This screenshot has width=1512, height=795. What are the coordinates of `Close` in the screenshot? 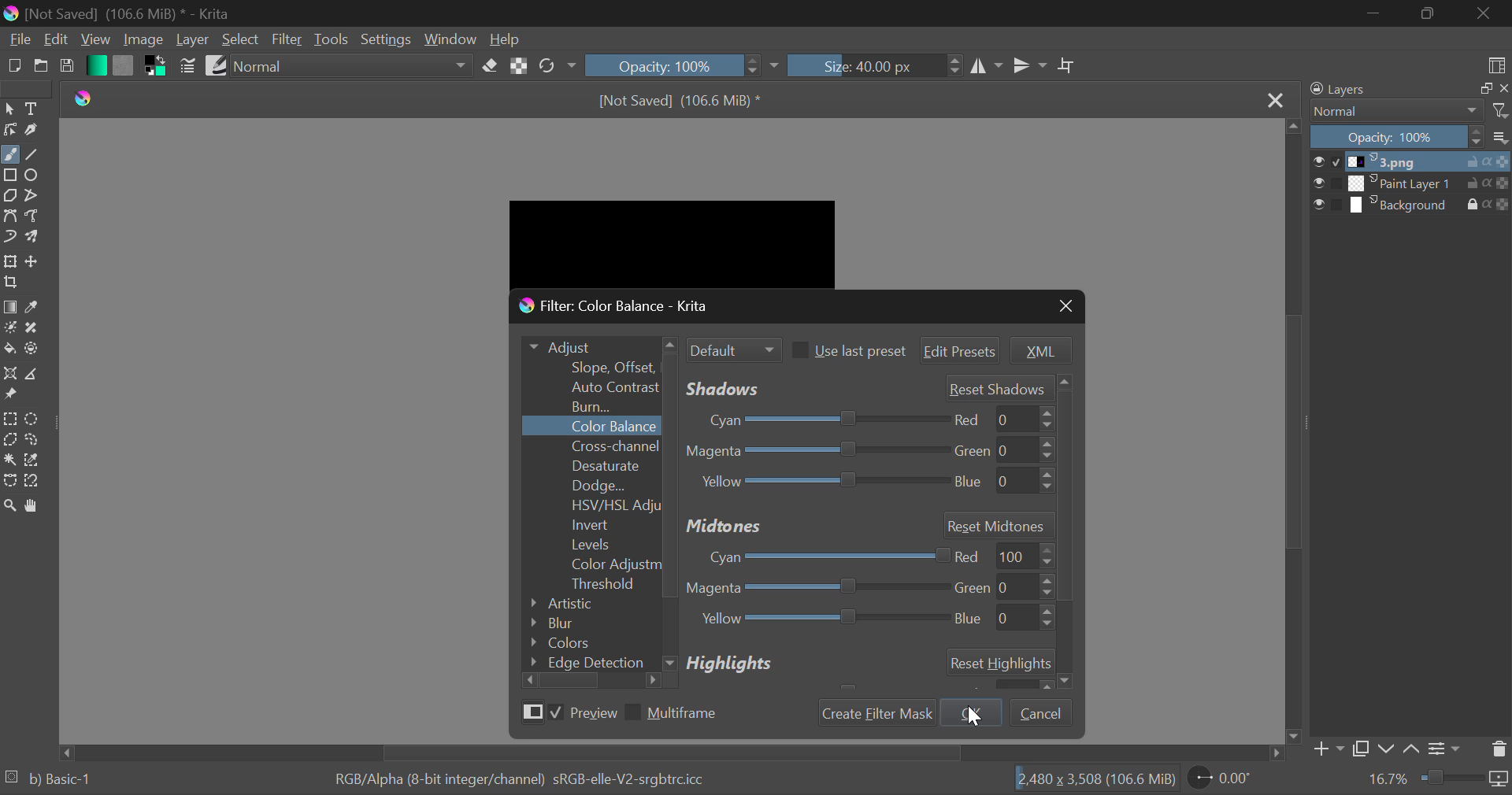 It's located at (1276, 98).